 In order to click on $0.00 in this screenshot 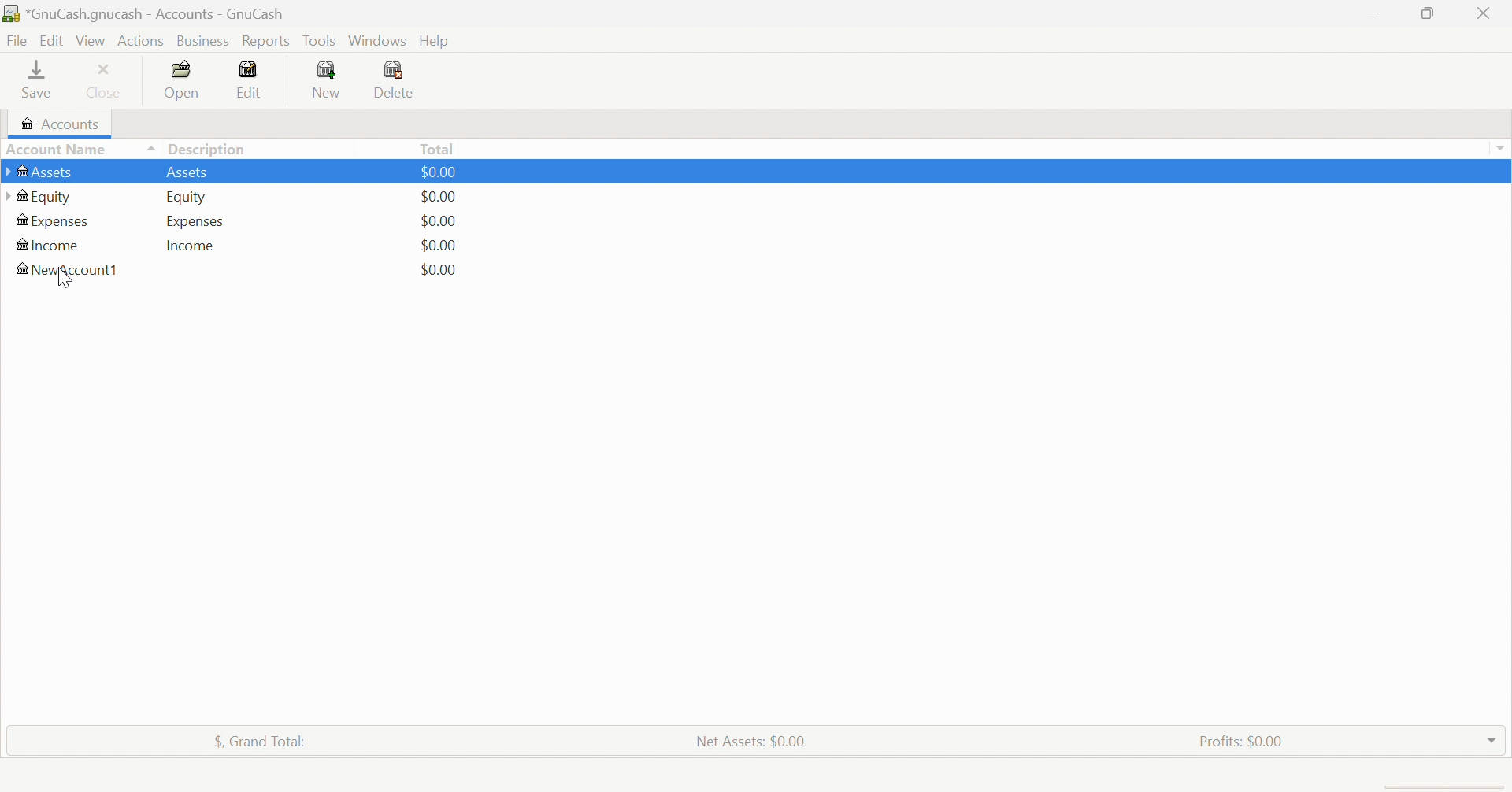, I will do `click(437, 270)`.